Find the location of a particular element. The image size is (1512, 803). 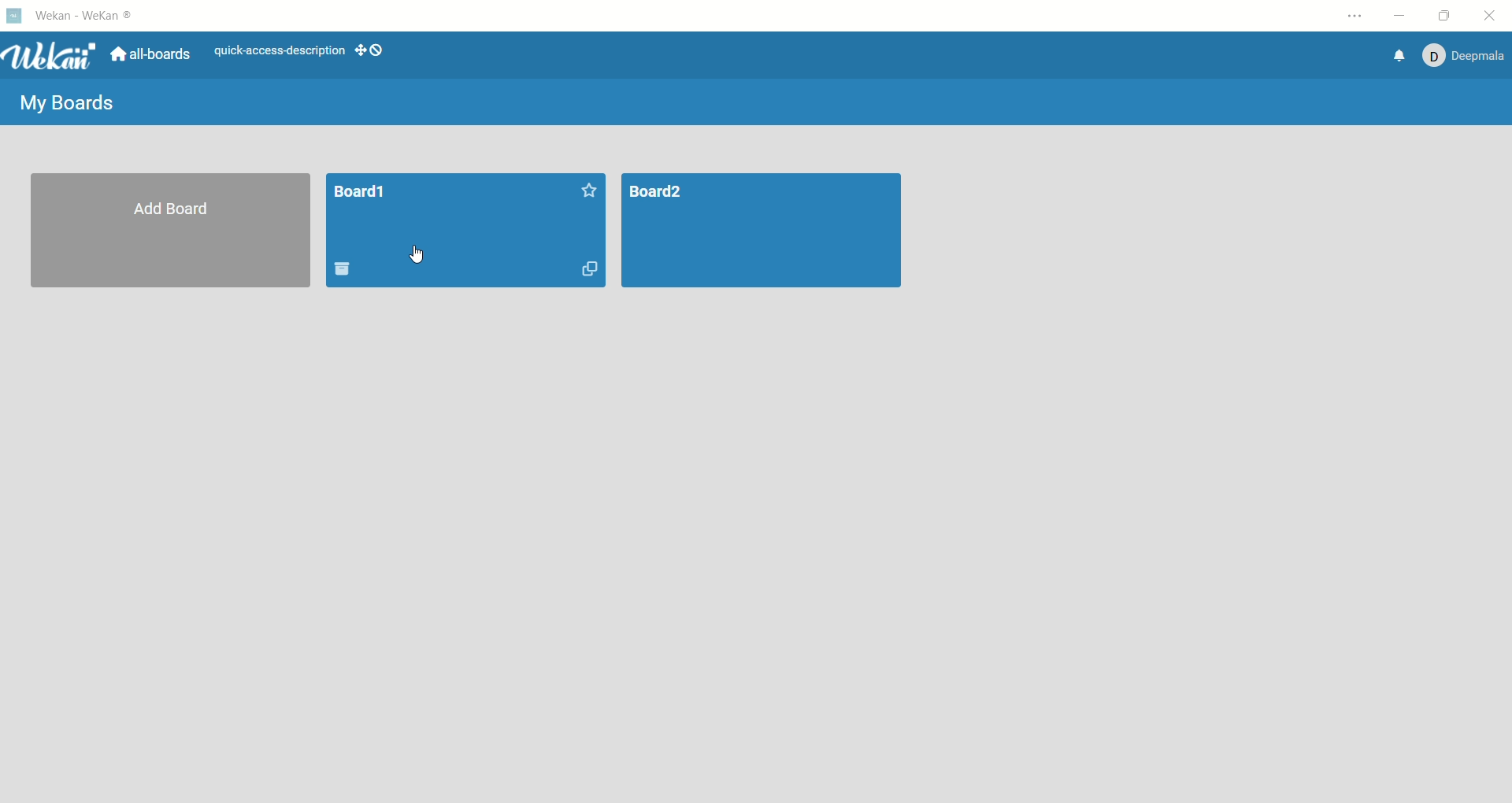

my boards is located at coordinates (69, 102).